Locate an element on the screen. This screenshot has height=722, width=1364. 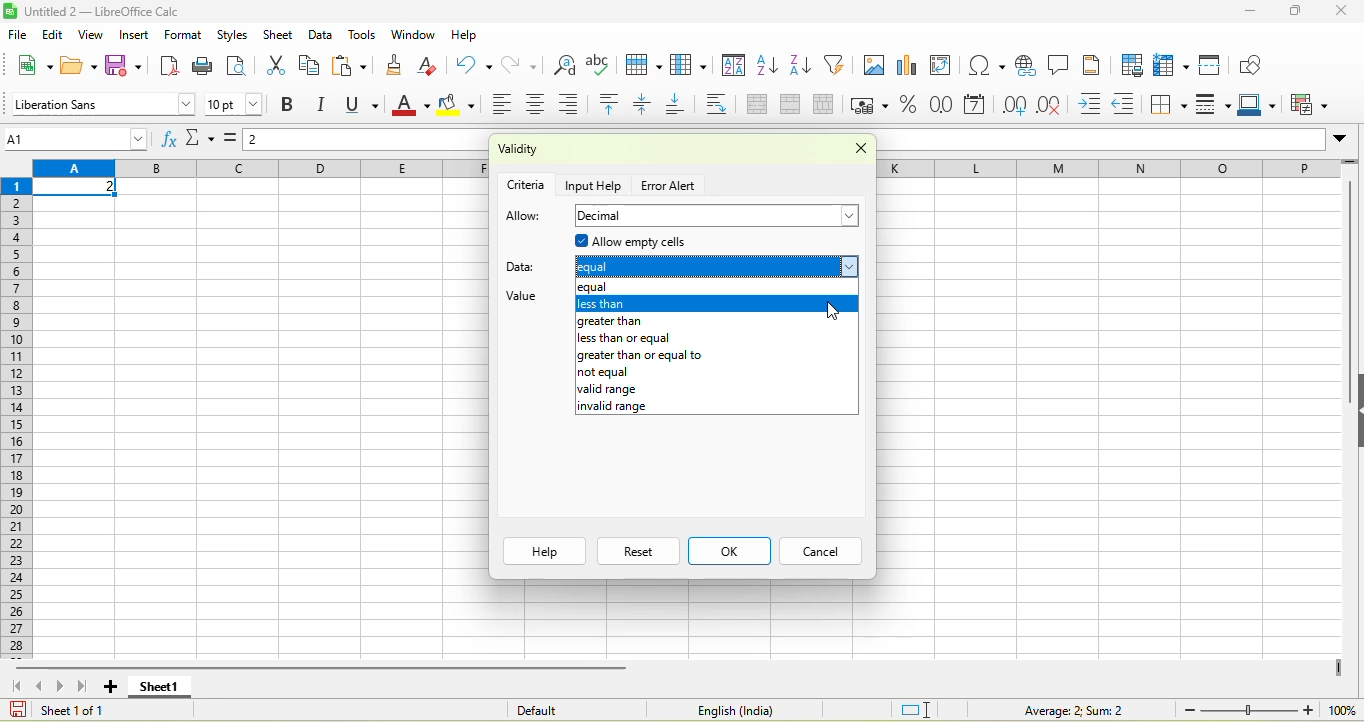
validity is located at coordinates (572, 151).